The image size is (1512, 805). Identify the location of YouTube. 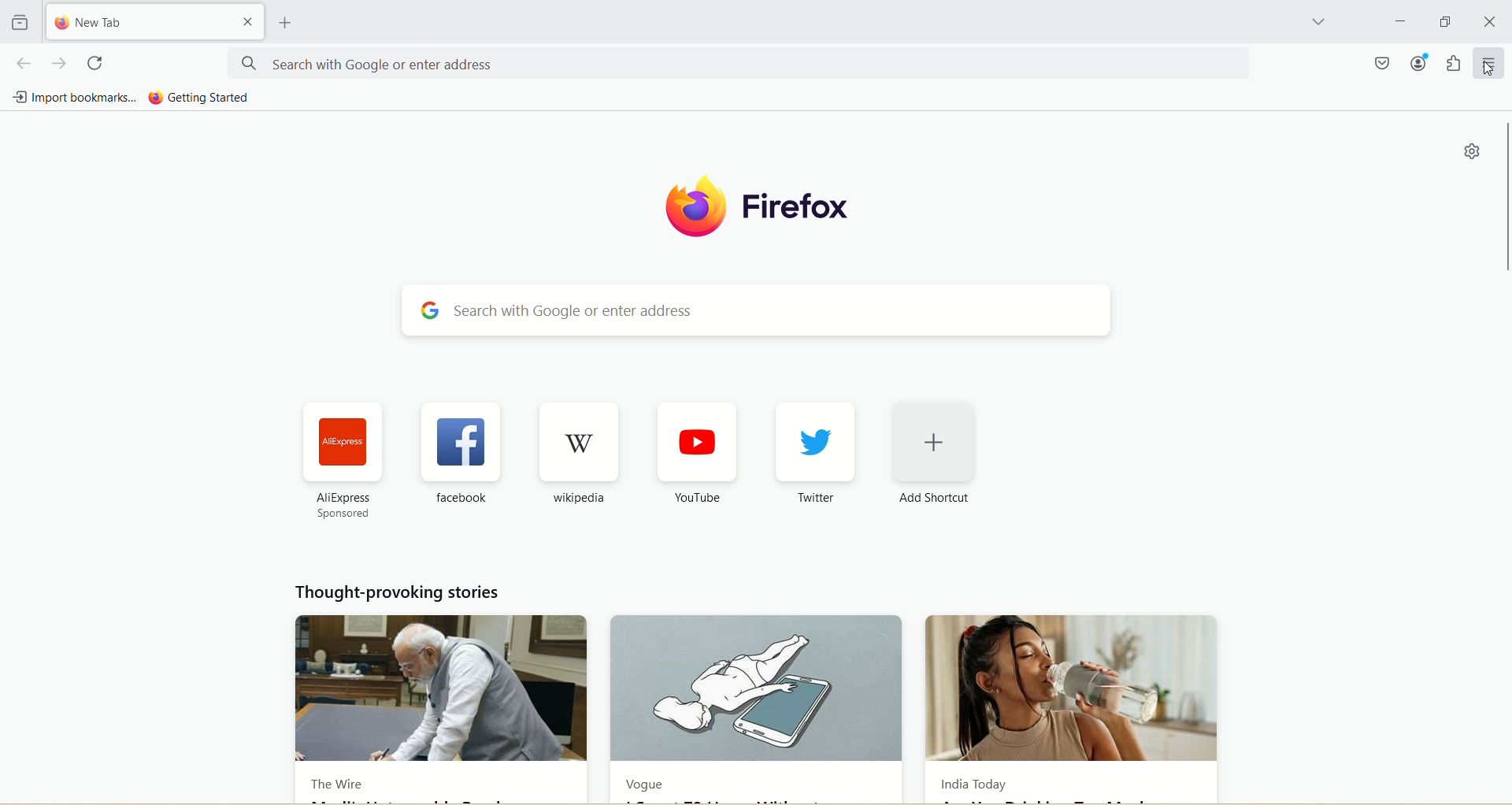
(694, 497).